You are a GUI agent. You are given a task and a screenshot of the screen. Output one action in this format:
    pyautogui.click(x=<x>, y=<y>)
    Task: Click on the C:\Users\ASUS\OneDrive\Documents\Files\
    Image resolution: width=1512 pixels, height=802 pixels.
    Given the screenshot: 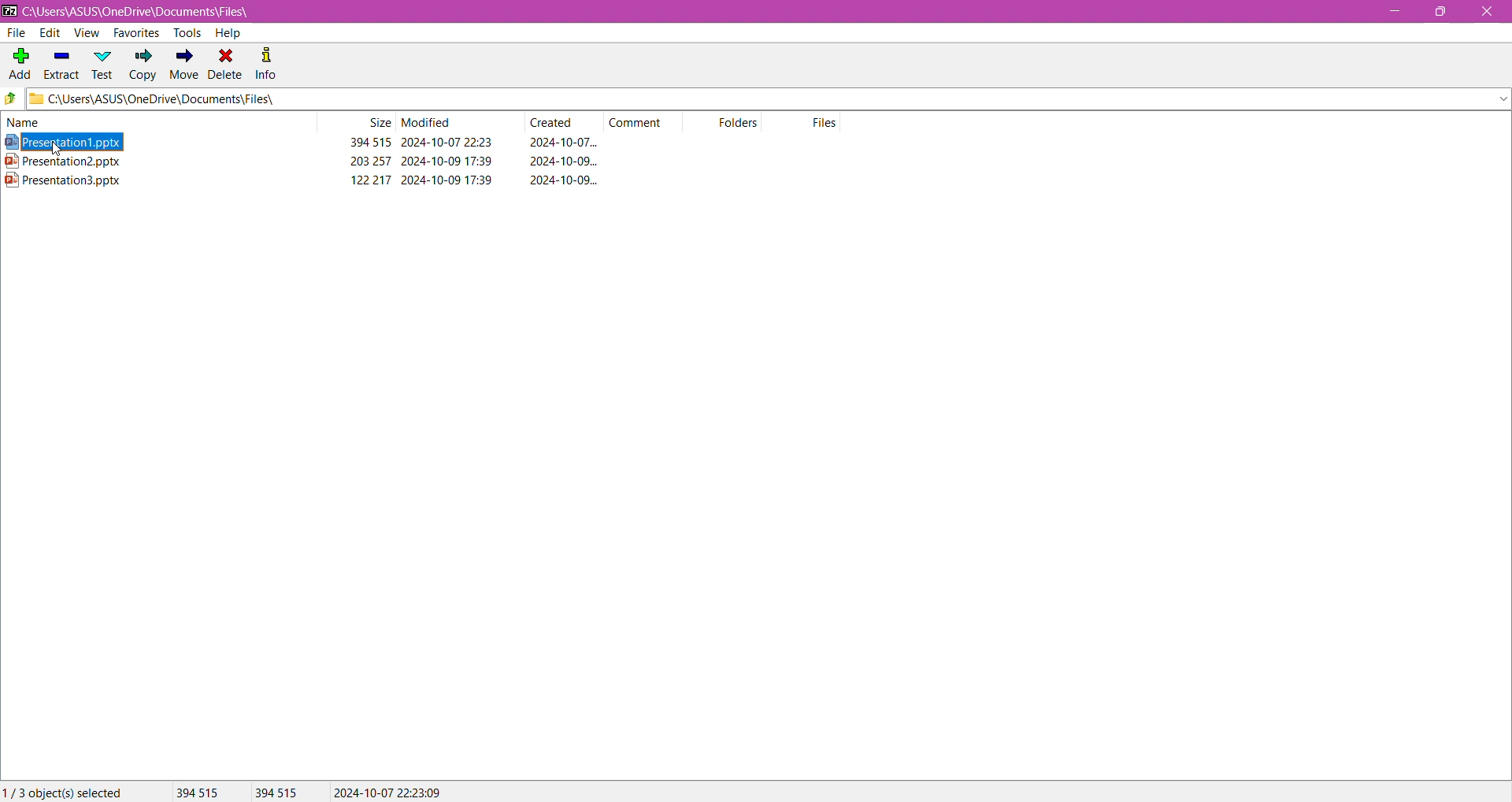 What is the action you would take?
    pyautogui.click(x=150, y=12)
    